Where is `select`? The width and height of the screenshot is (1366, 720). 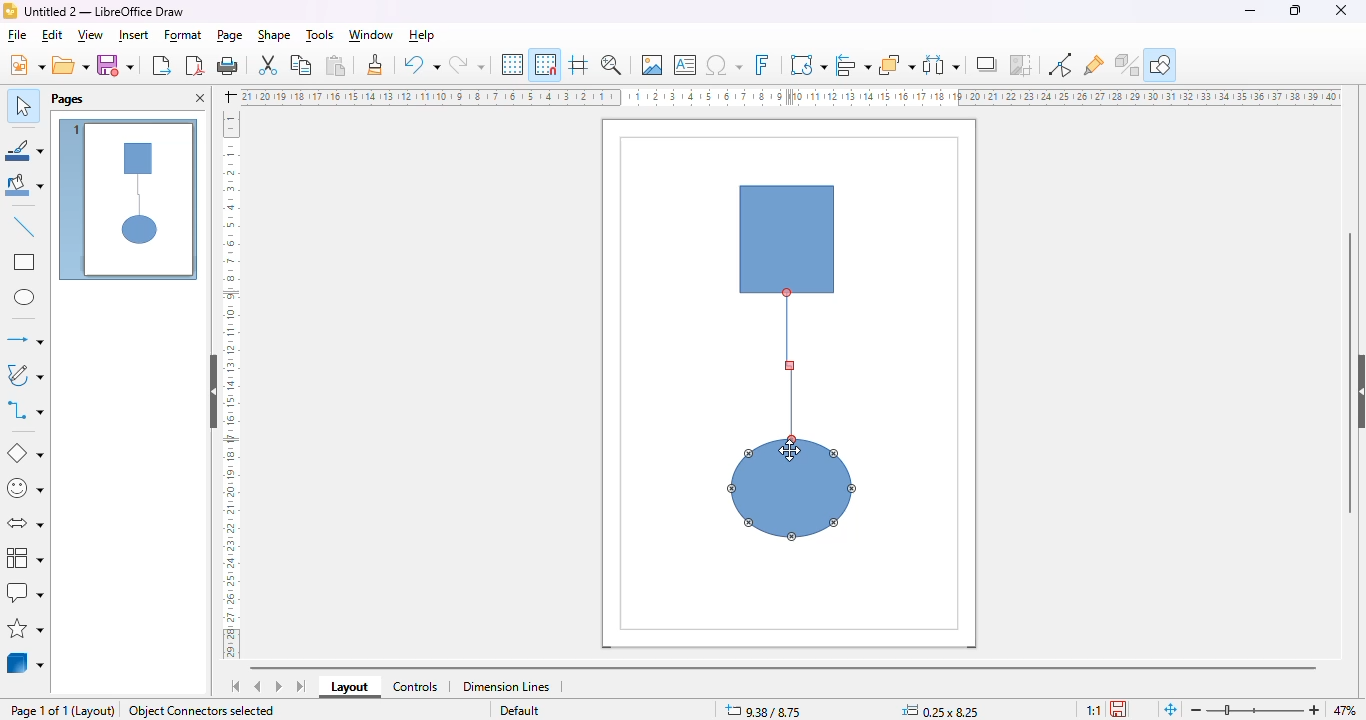
select is located at coordinates (23, 104).